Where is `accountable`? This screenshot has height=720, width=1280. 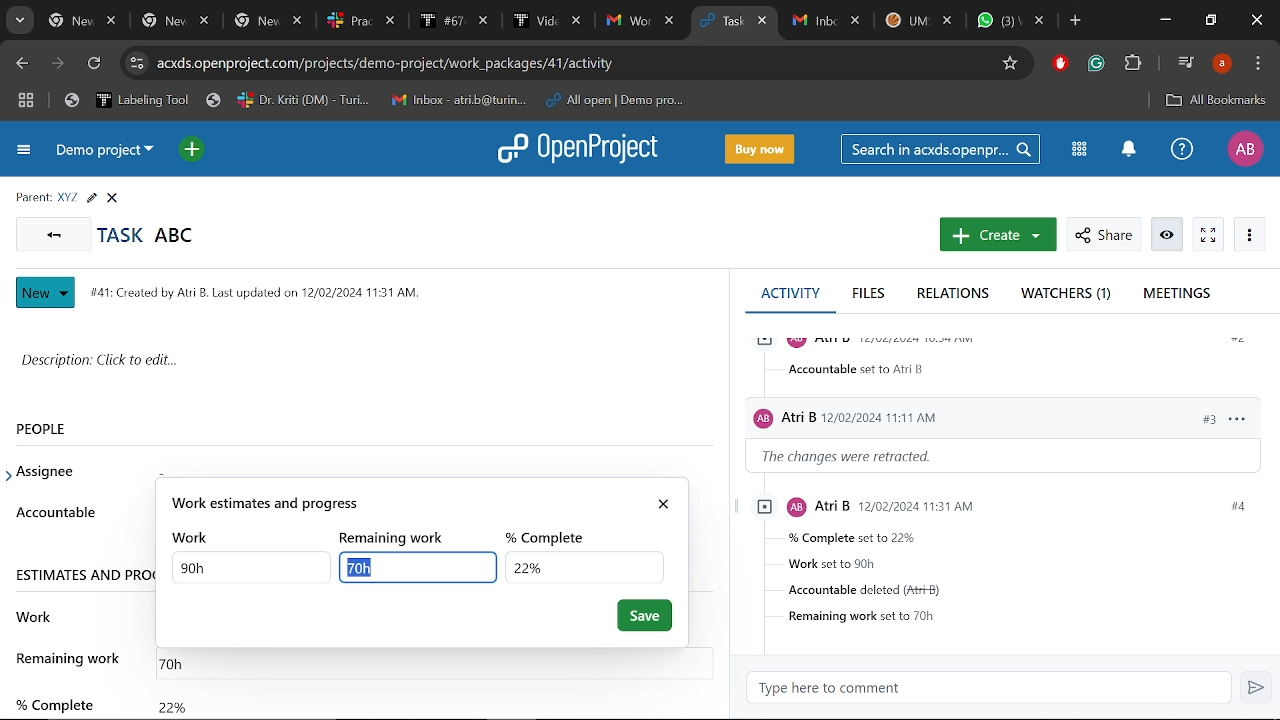
accountable is located at coordinates (55, 512).